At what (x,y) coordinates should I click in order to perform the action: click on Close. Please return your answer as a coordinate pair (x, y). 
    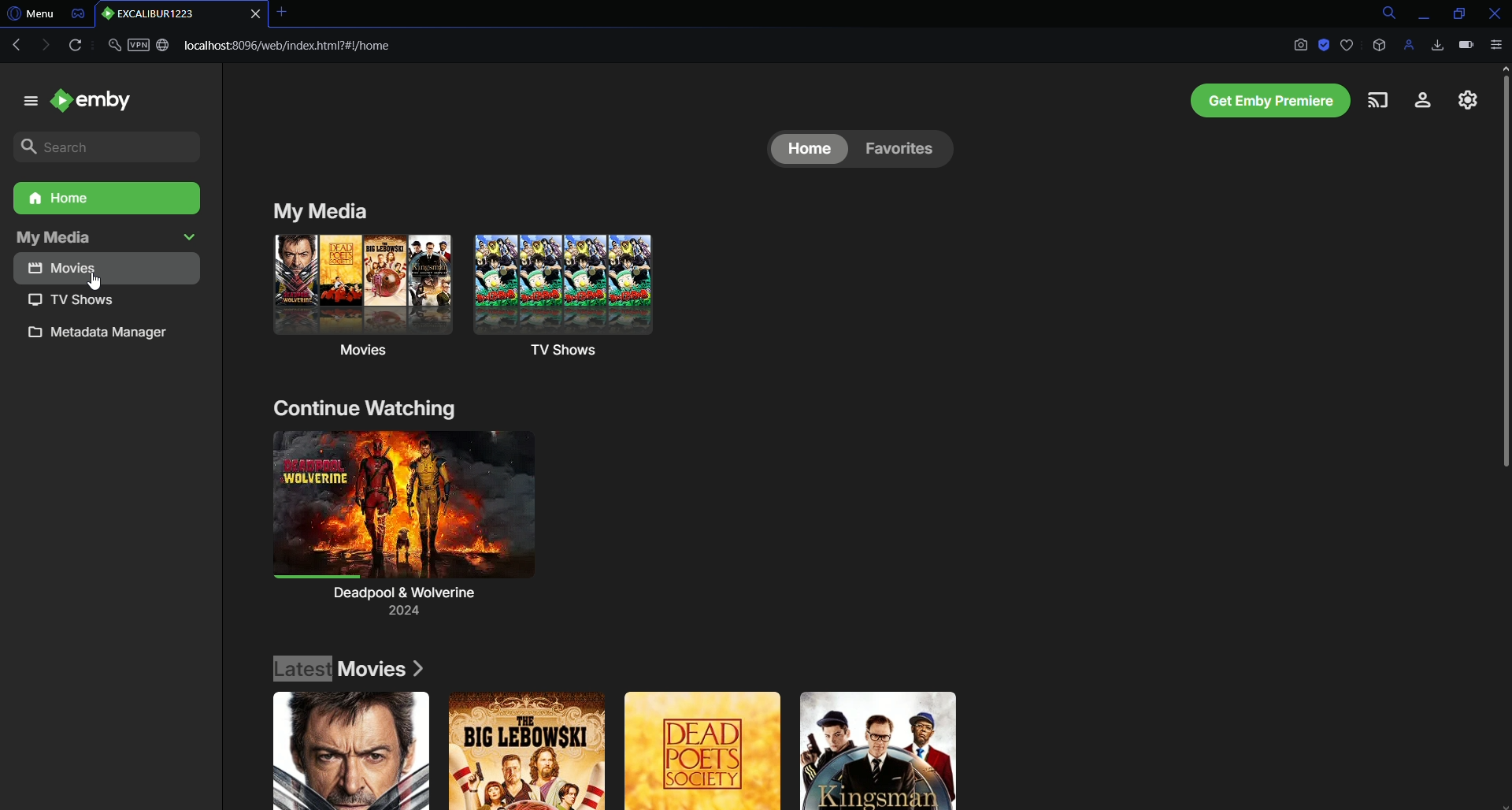
    Looking at the image, I should click on (1491, 13).